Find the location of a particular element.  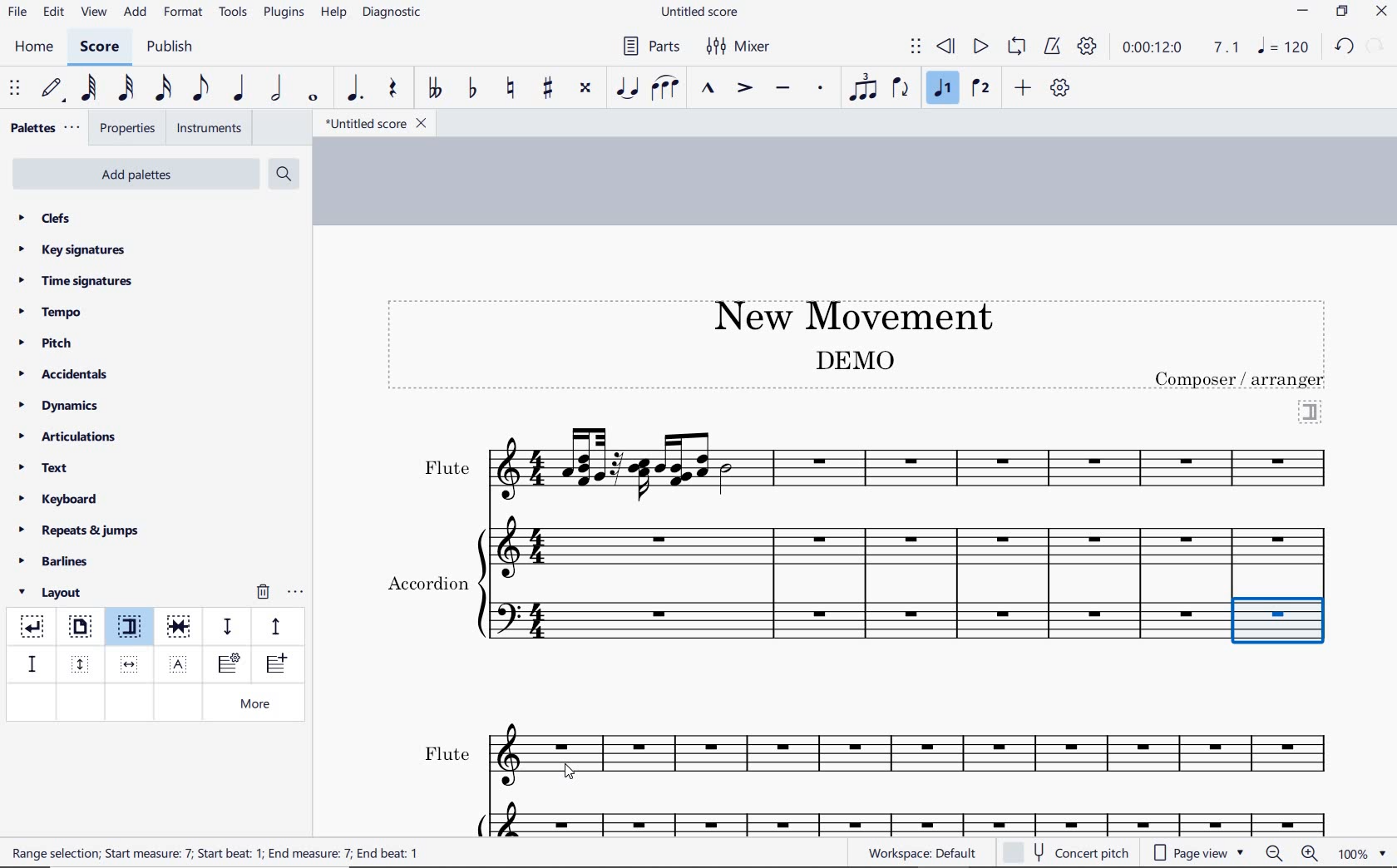

Instrument: Accordion is located at coordinates (912, 584).